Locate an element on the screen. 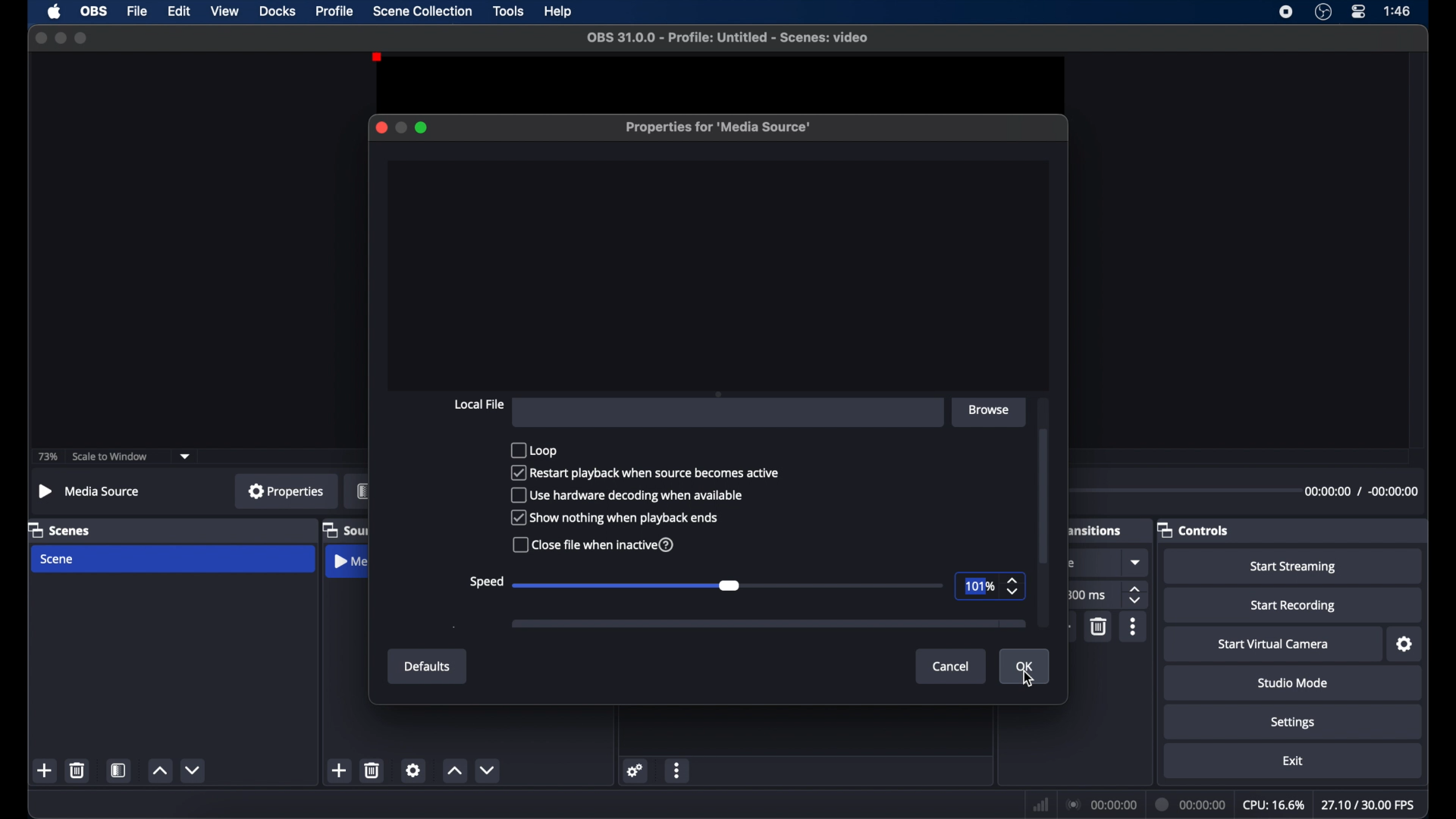 The image size is (1456, 819). obscure icon is located at coordinates (768, 624).